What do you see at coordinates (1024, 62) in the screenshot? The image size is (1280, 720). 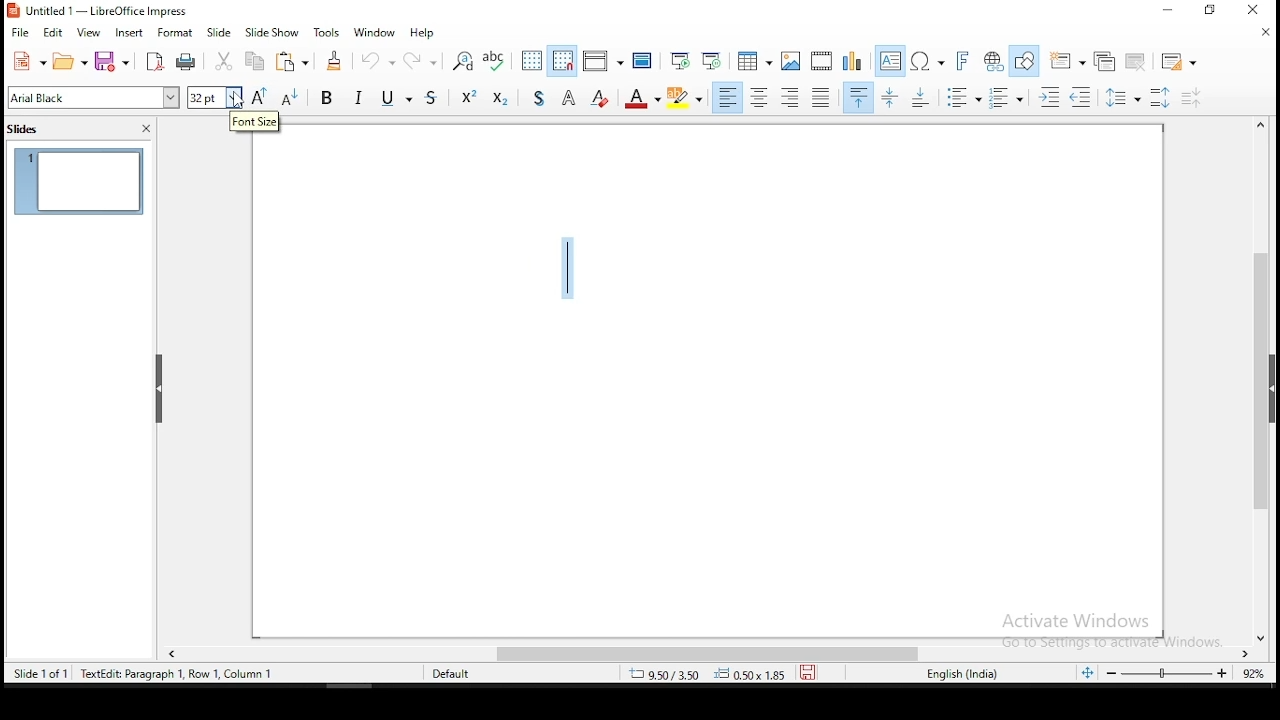 I see `show draw functions` at bounding box center [1024, 62].